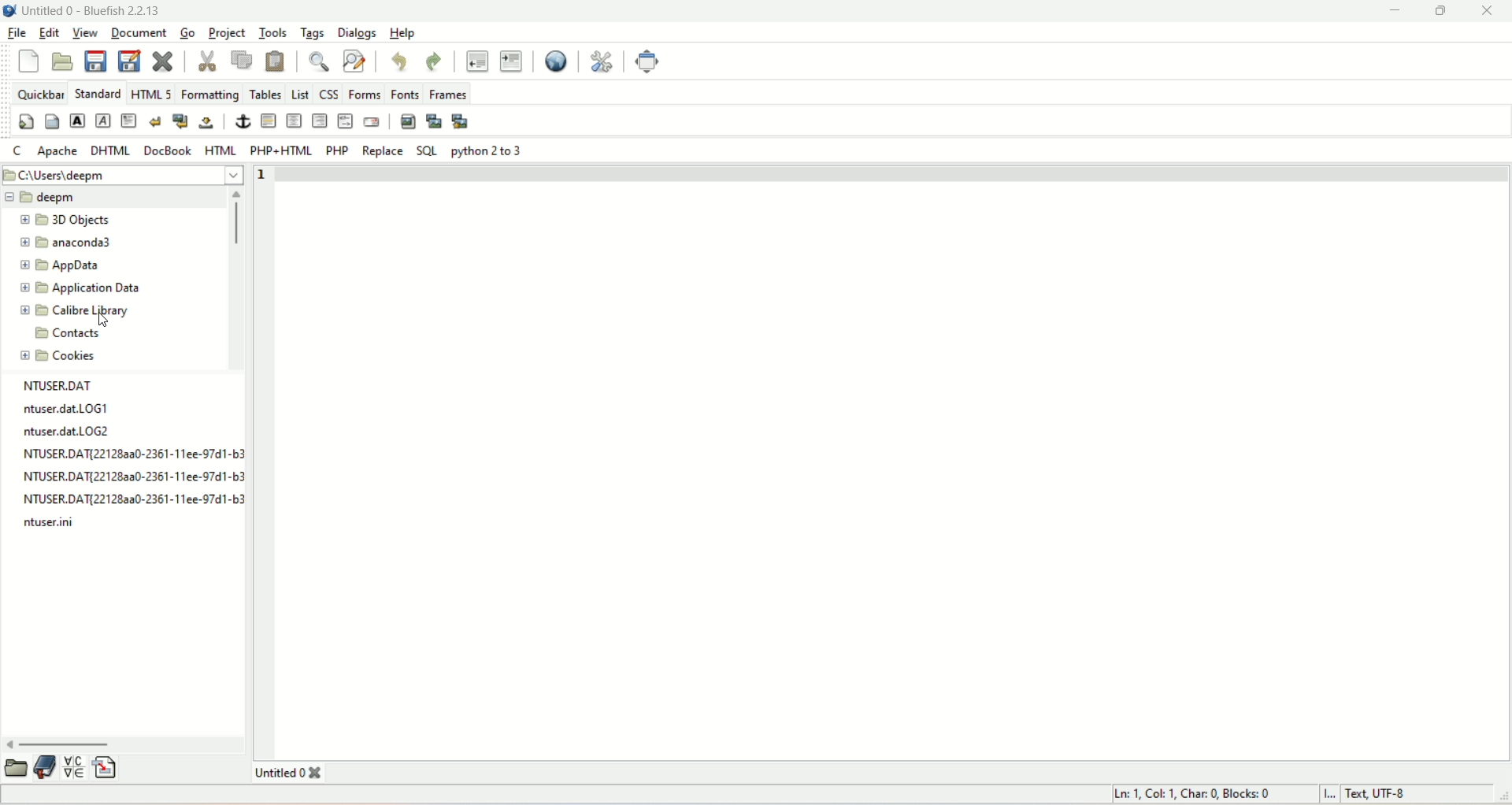 Image resolution: width=1512 pixels, height=805 pixels. I want to click on close current file, so click(161, 59).